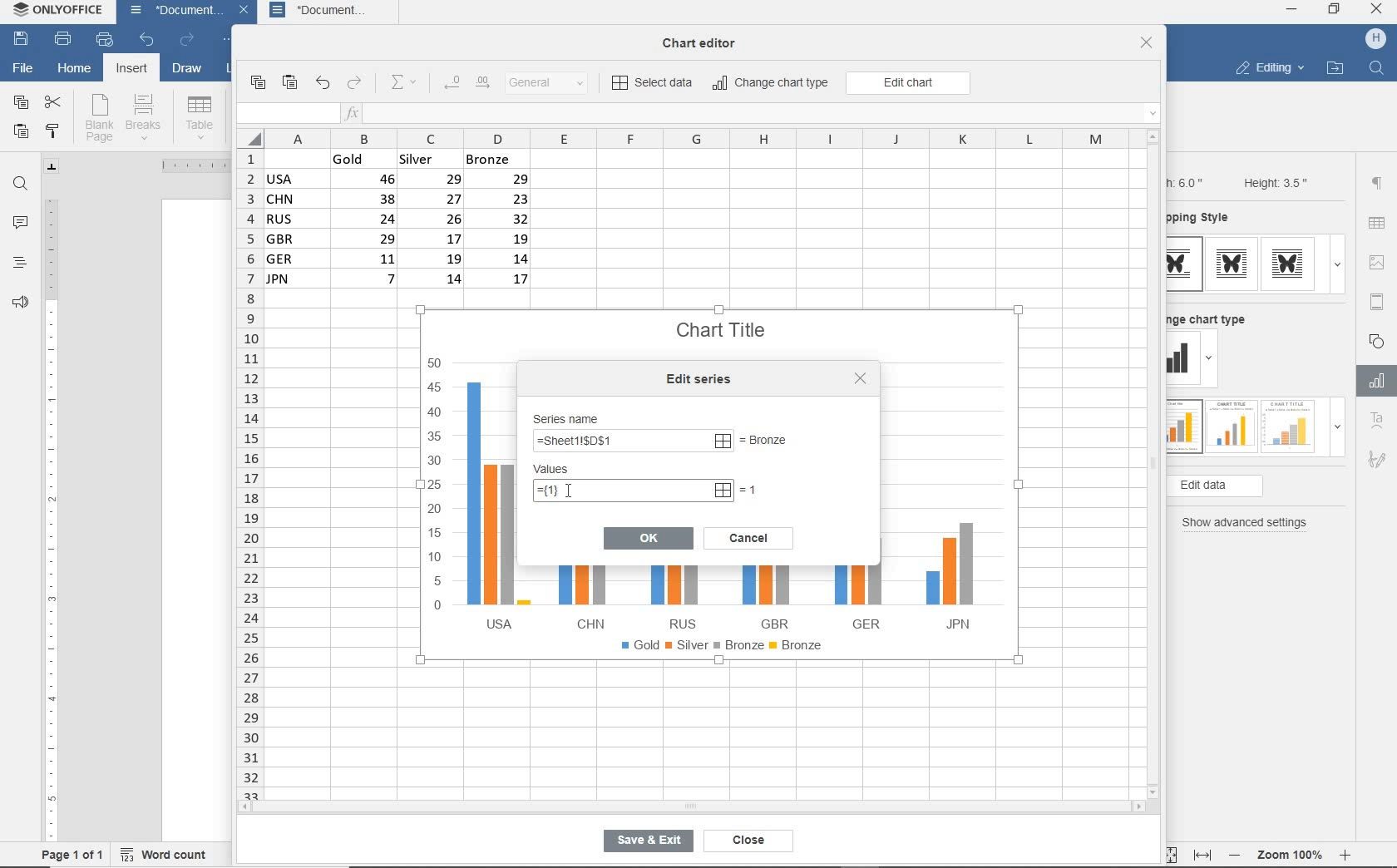 Image resolution: width=1397 pixels, height=868 pixels. What do you see at coordinates (186, 41) in the screenshot?
I see `redo` at bounding box center [186, 41].